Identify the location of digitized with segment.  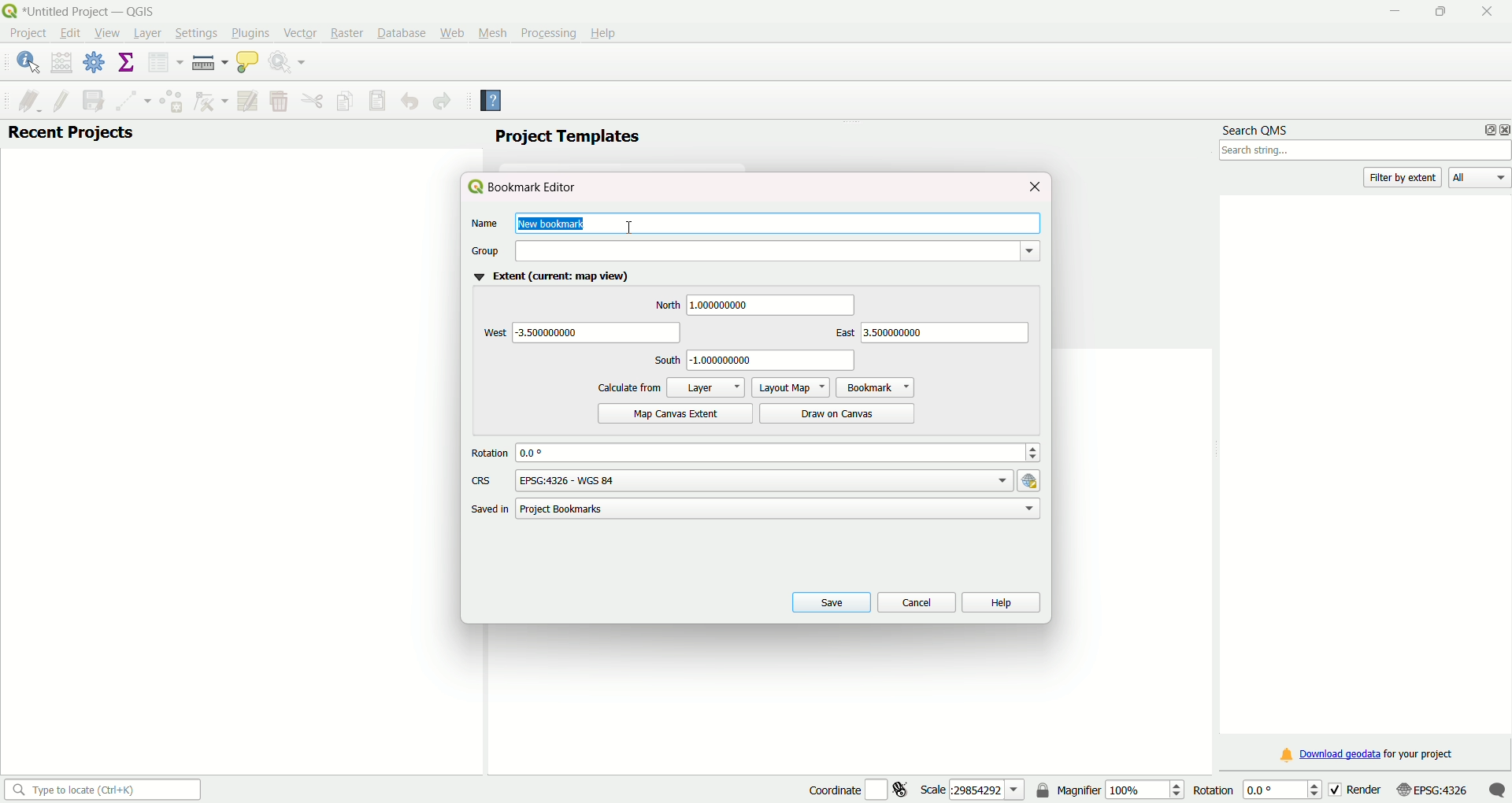
(129, 100).